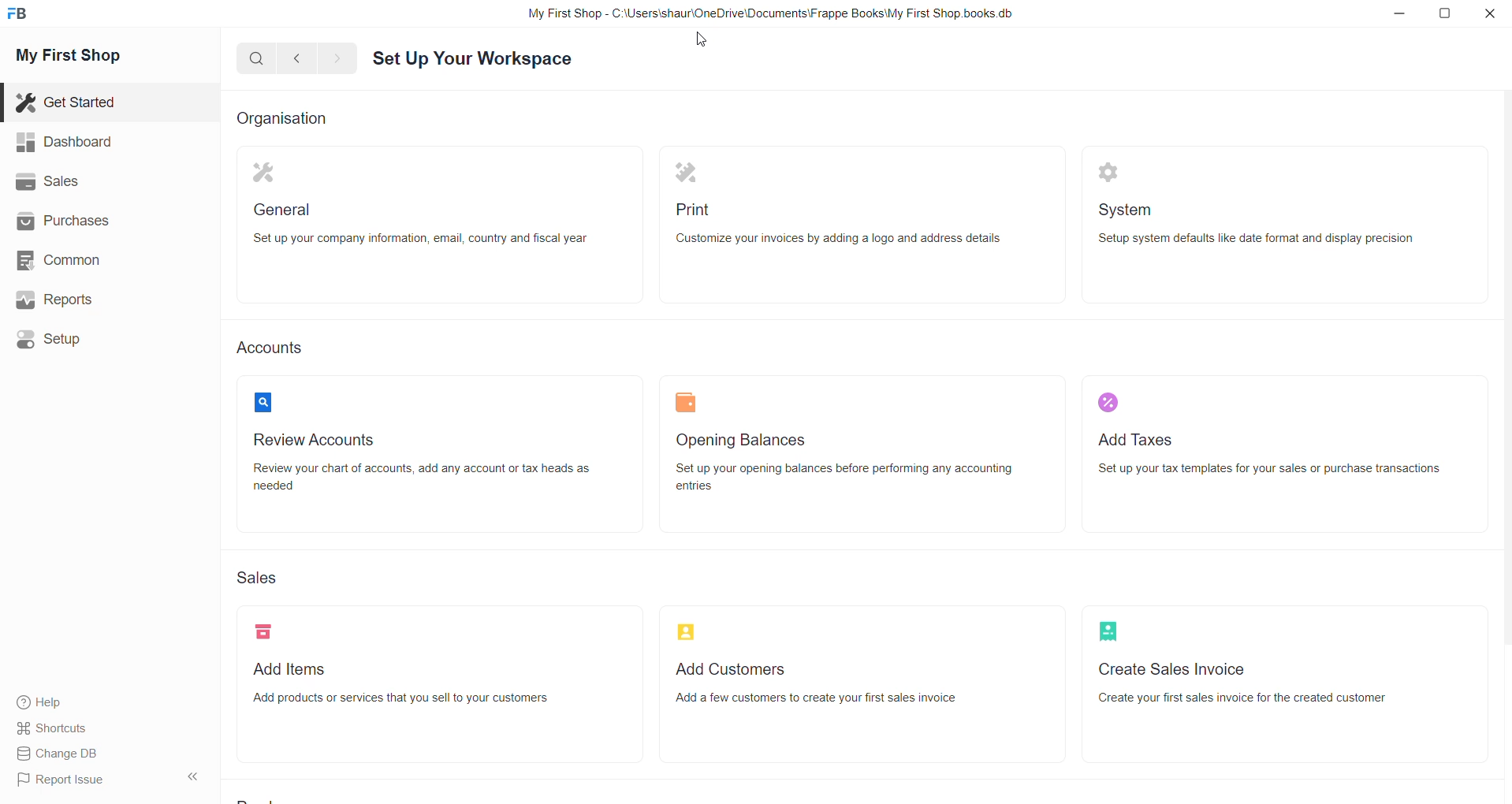 Image resolution: width=1512 pixels, height=804 pixels. Describe the element at coordinates (69, 141) in the screenshot. I see `Dashboard` at that location.